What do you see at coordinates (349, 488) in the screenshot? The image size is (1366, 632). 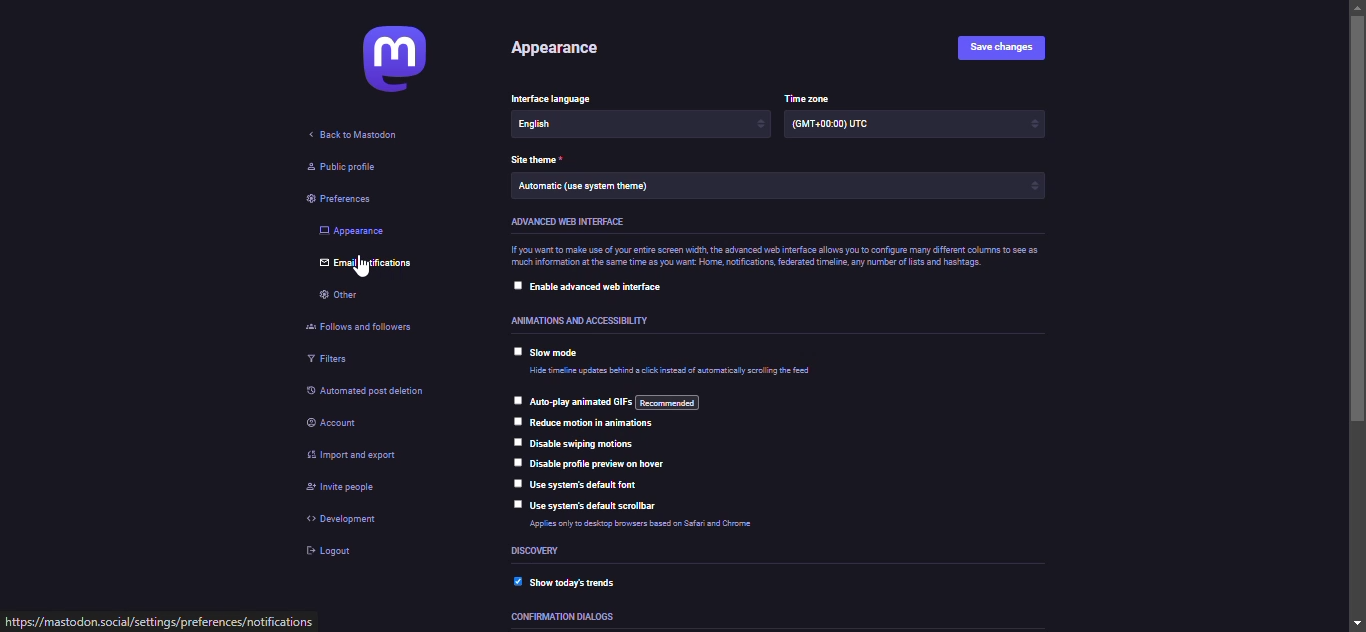 I see `invite people` at bounding box center [349, 488].